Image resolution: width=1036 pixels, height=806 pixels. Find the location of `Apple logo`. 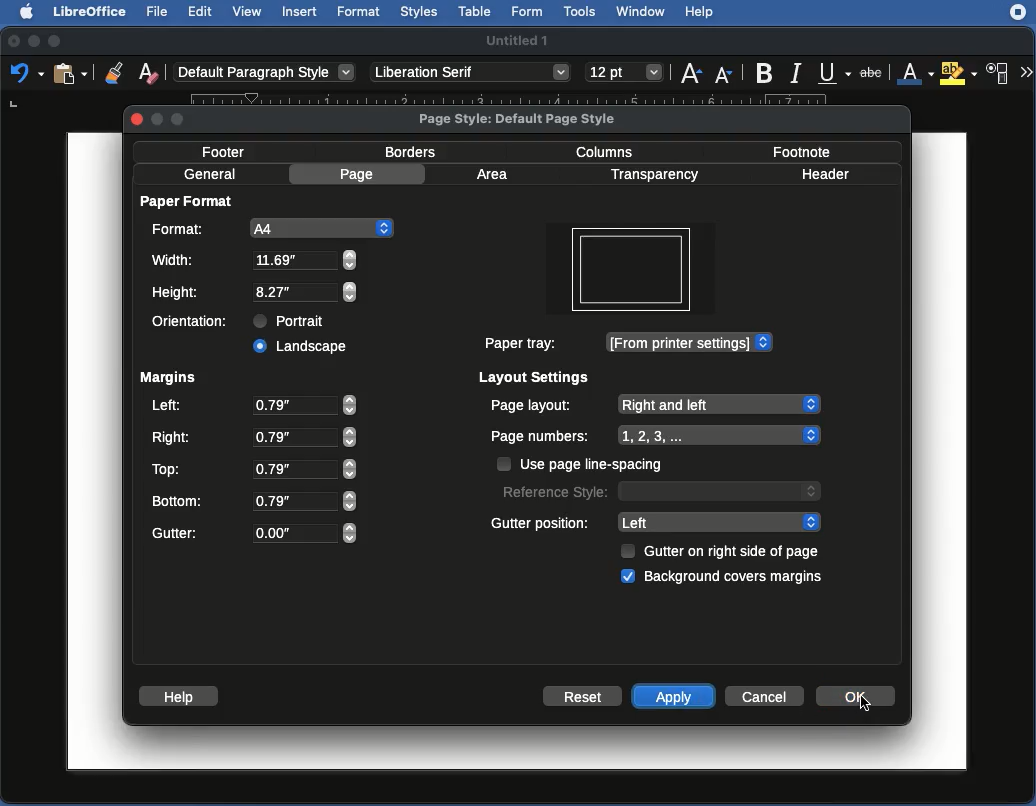

Apple logo is located at coordinates (29, 12).